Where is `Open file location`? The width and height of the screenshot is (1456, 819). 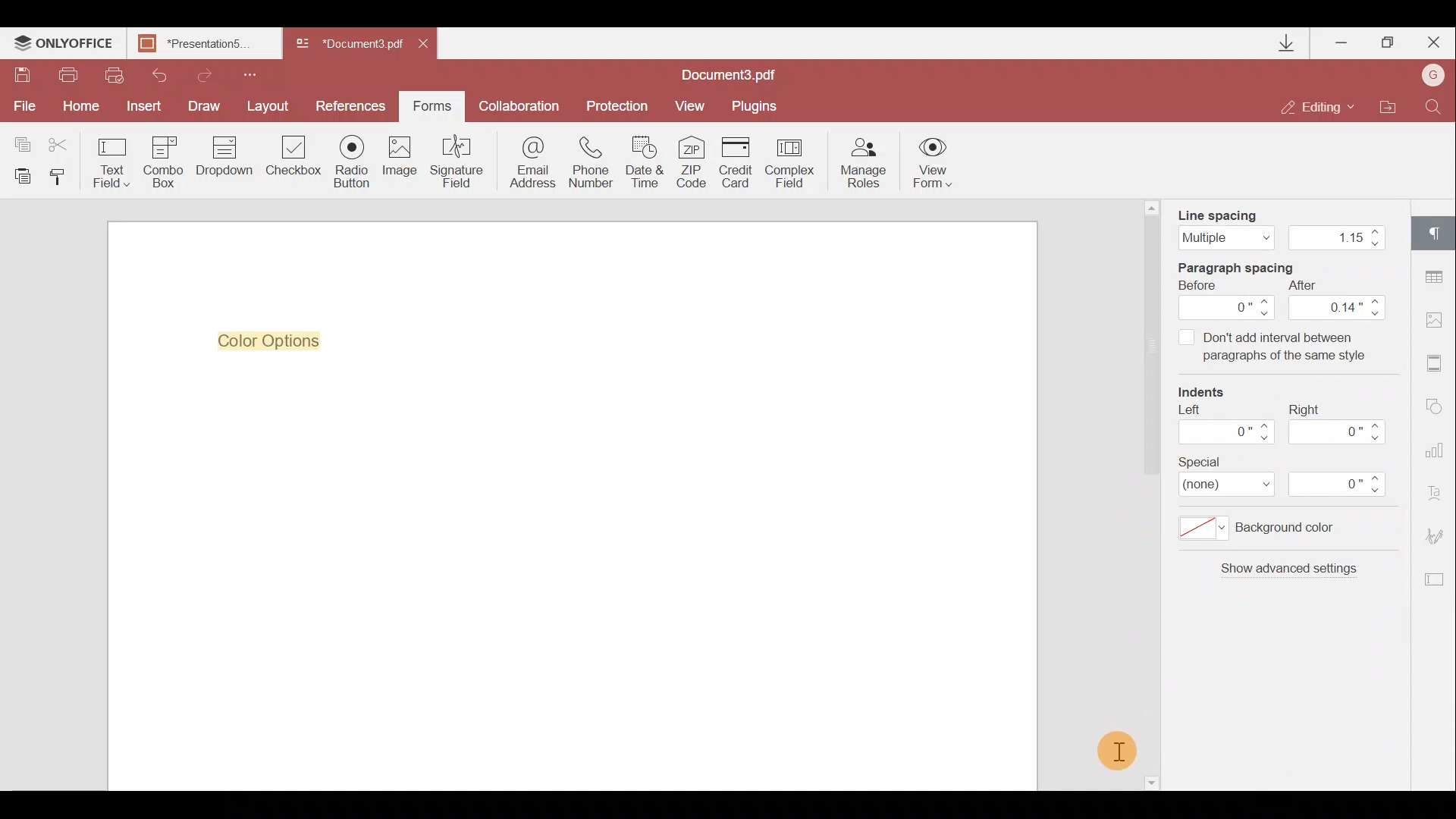
Open file location is located at coordinates (1389, 106).